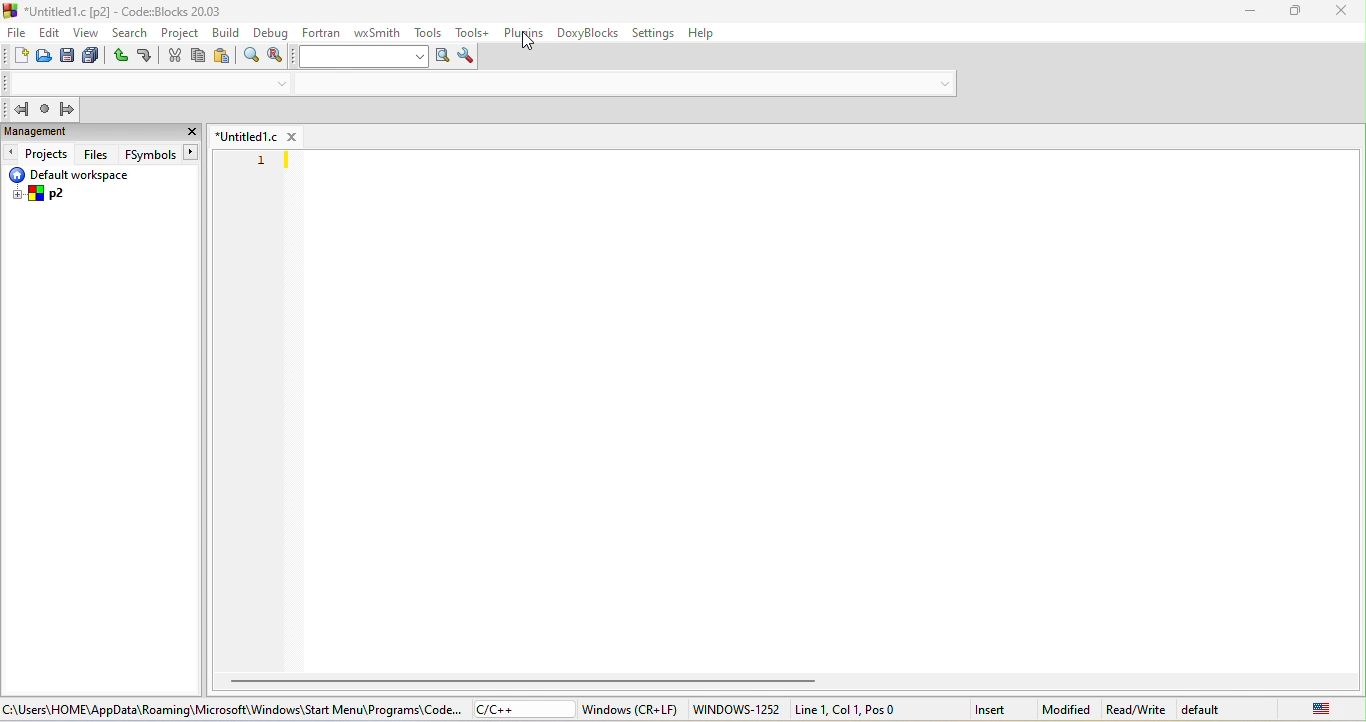 This screenshot has height=722, width=1366. I want to click on file, so click(18, 34).